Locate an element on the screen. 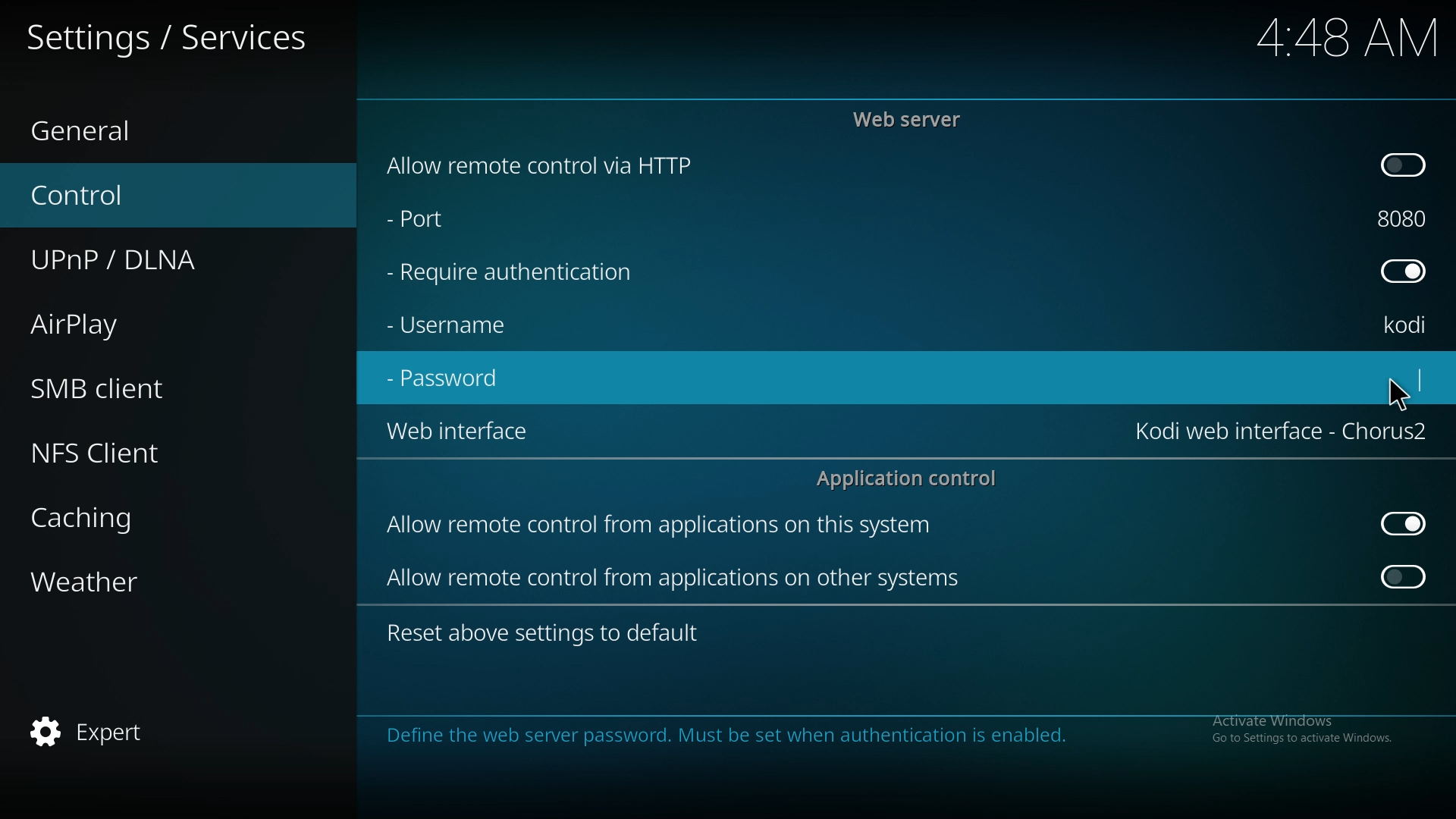 The image size is (1456, 819). web server is located at coordinates (915, 118).